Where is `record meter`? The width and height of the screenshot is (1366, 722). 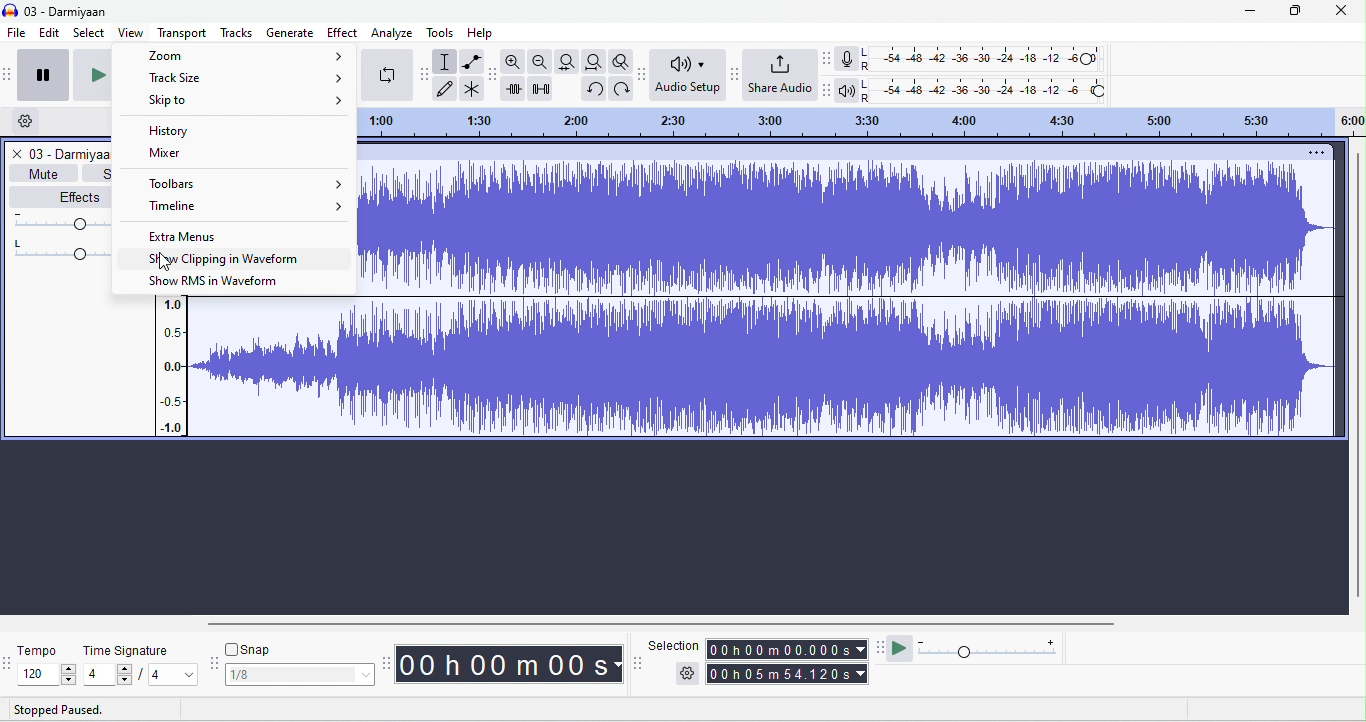 record meter is located at coordinates (847, 59).